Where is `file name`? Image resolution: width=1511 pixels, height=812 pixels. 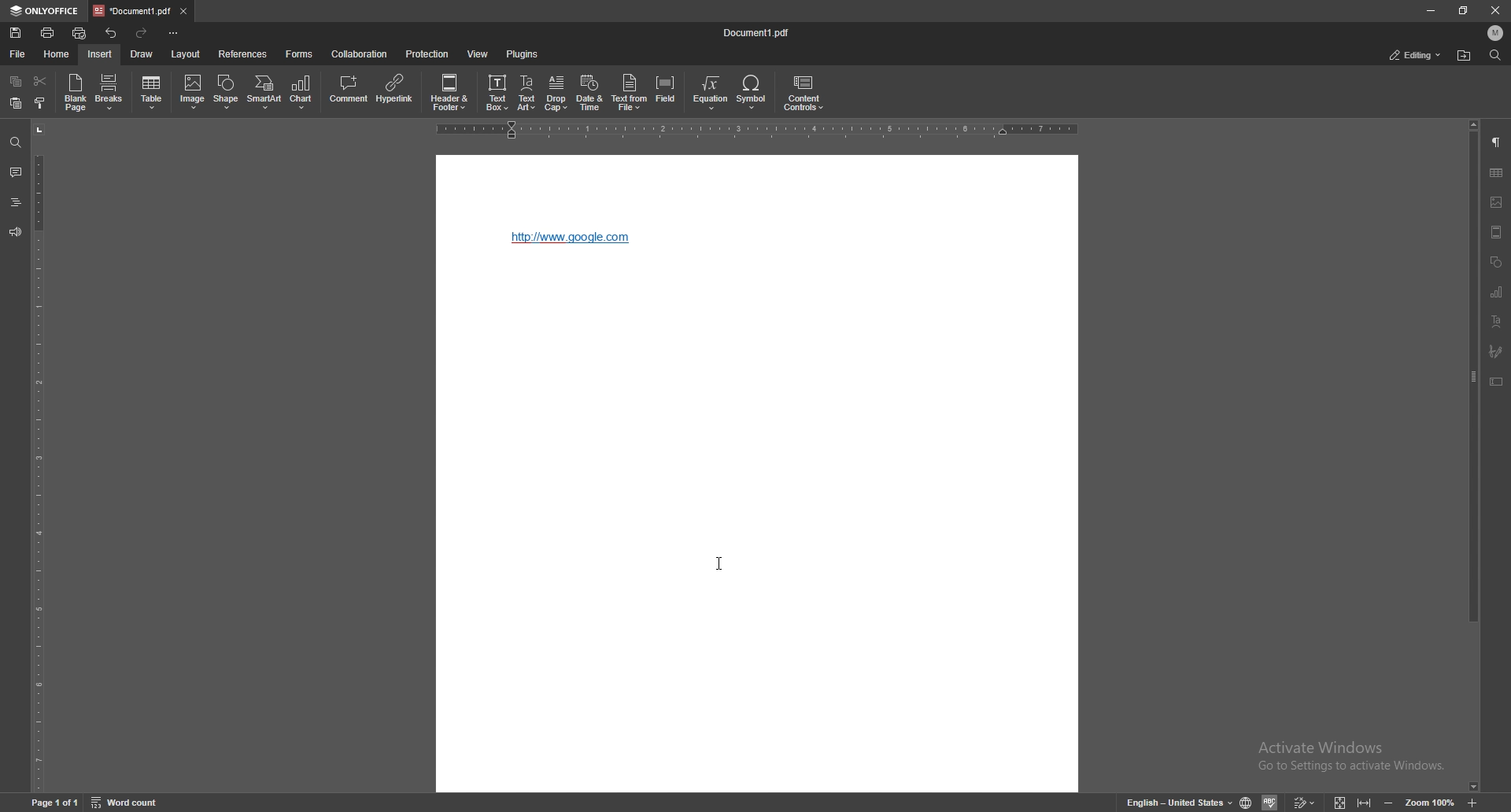 file name is located at coordinates (756, 32).